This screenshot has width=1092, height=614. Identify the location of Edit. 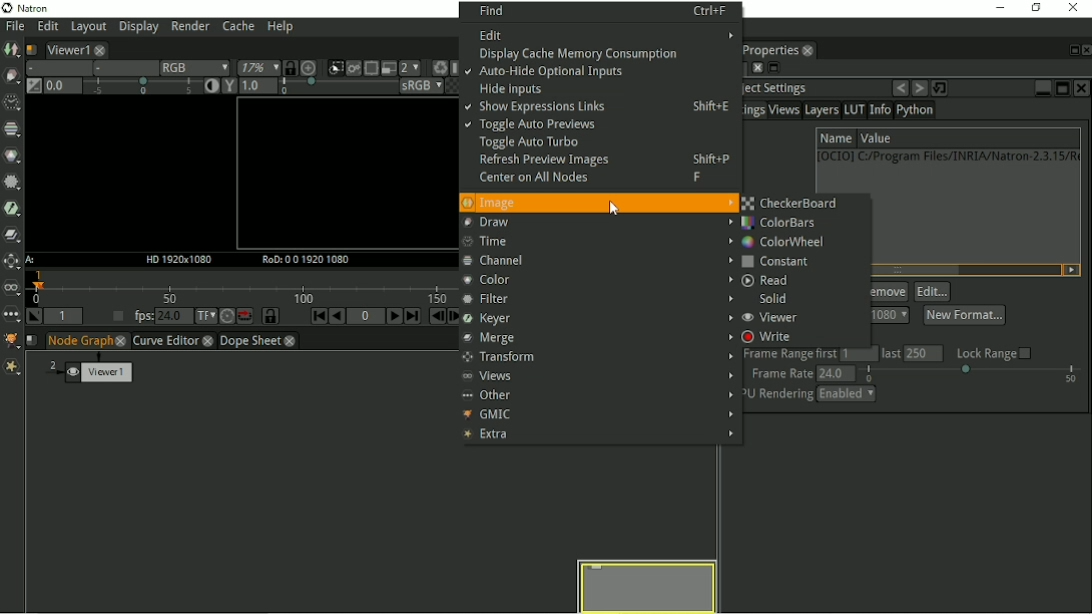
(46, 27).